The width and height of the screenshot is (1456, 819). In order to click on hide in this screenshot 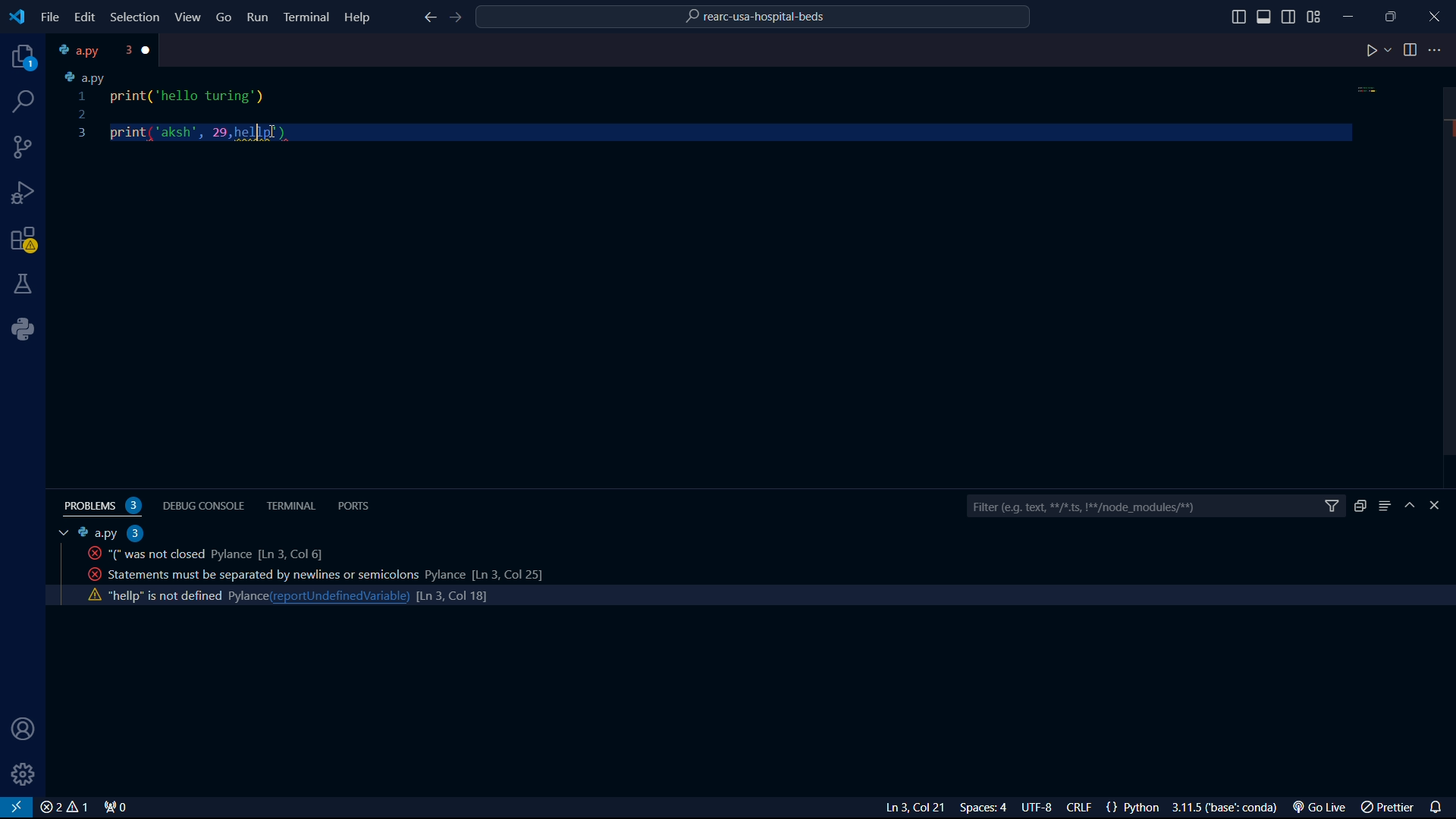, I will do `click(1412, 507)`.